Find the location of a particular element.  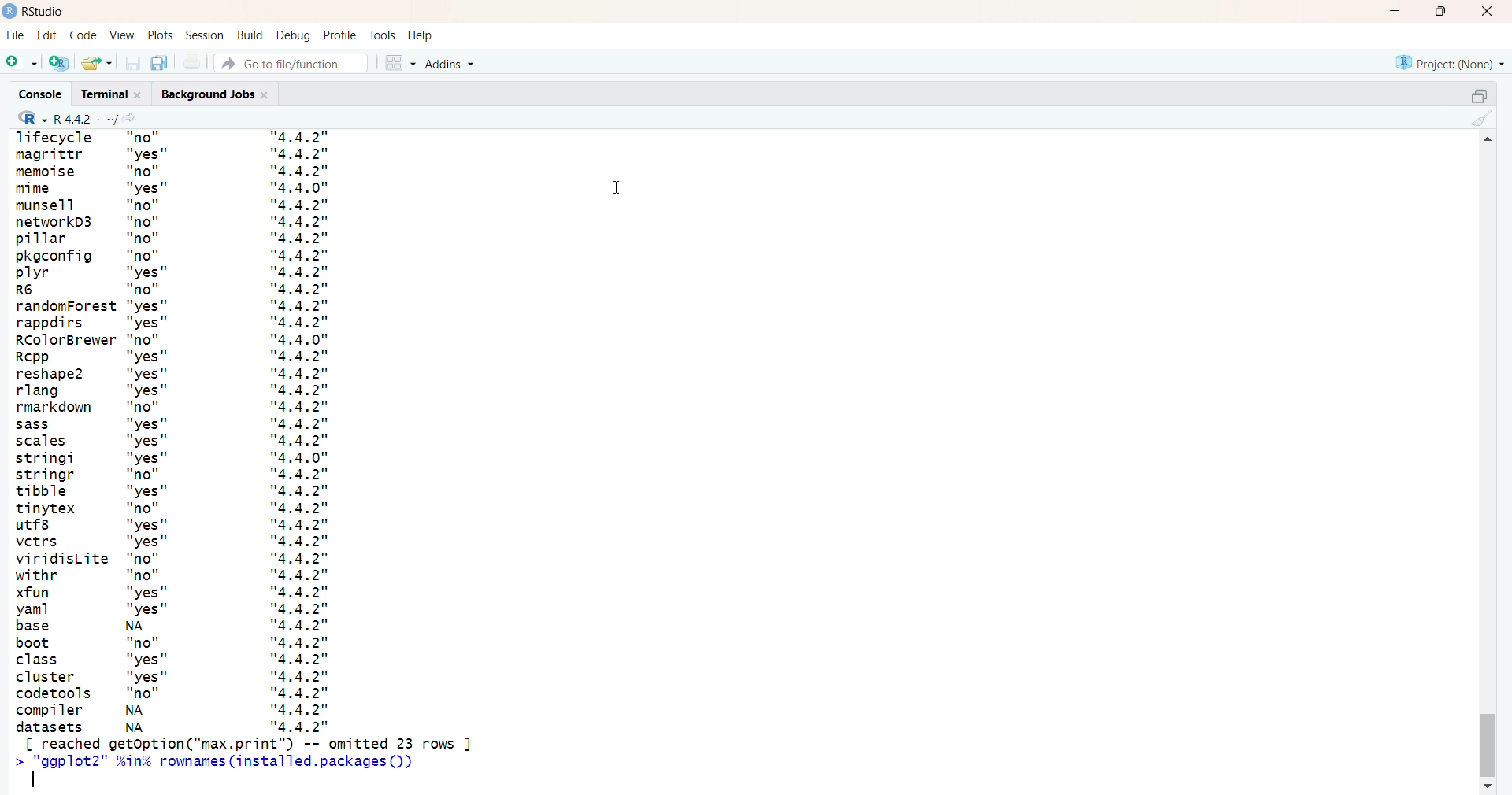

new file is located at coordinates (21, 65).